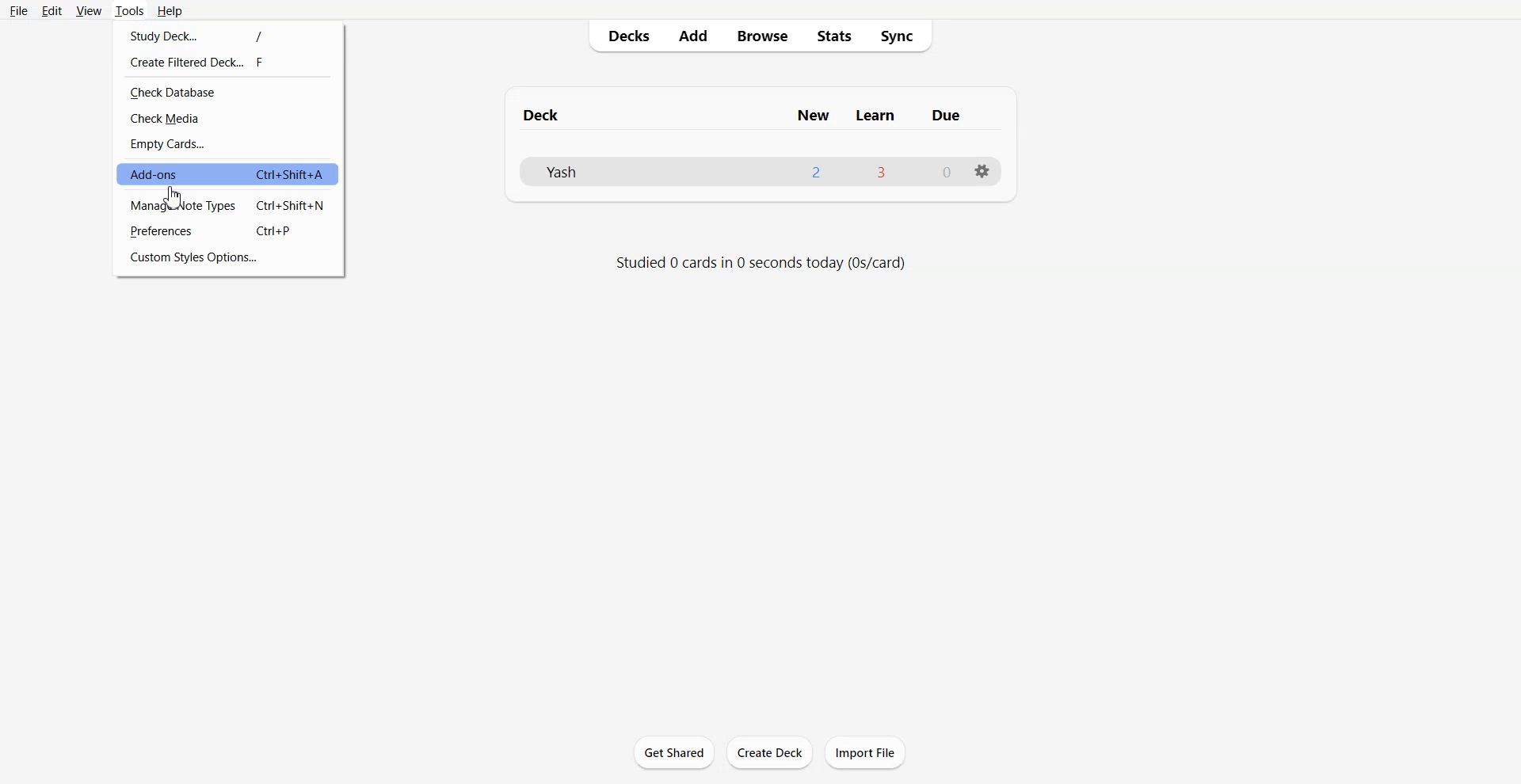 The height and width of the screenshot is (784, 1521). What do you see at coordinates (879, 171) in the screenshot?
I see `3` at bounding box center [879, 171].